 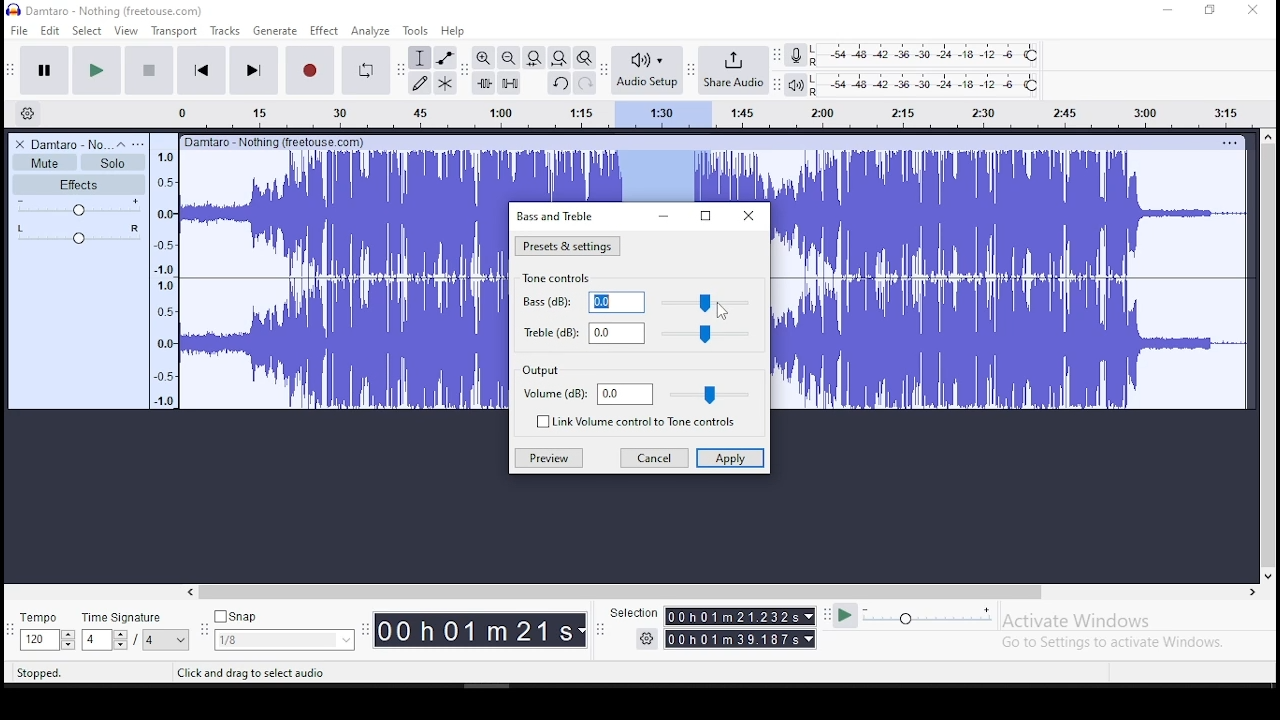 What do you see at coordinates (559, 57) in the screenshot?
I see `fit project to width` at bounding box center [559, 57].